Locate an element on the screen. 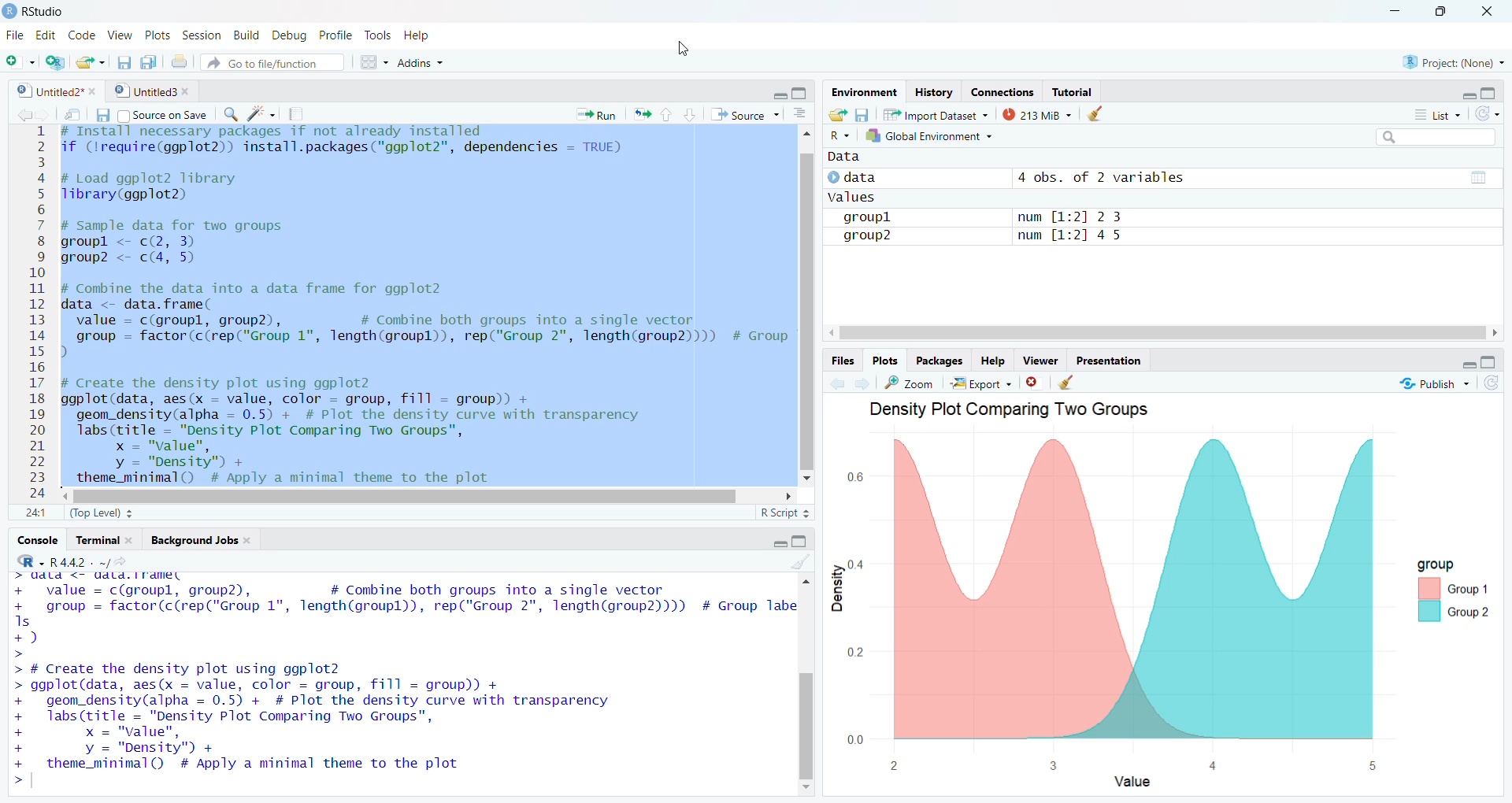  redo is located at coordinates (1497, 386).